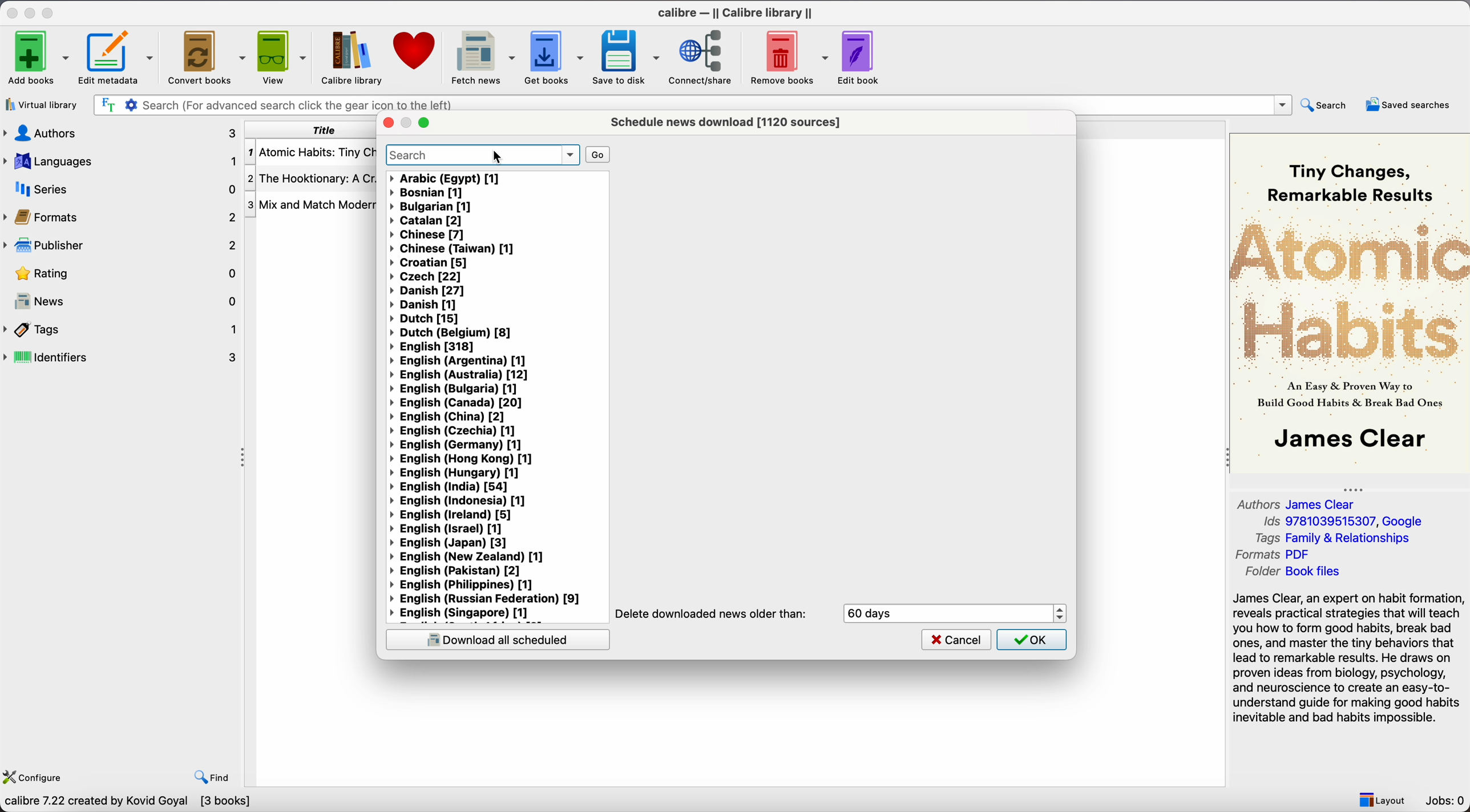 This screenshot has height=812, width=1470. I want to click on Delete downloads news older than:, so click(712, 614).